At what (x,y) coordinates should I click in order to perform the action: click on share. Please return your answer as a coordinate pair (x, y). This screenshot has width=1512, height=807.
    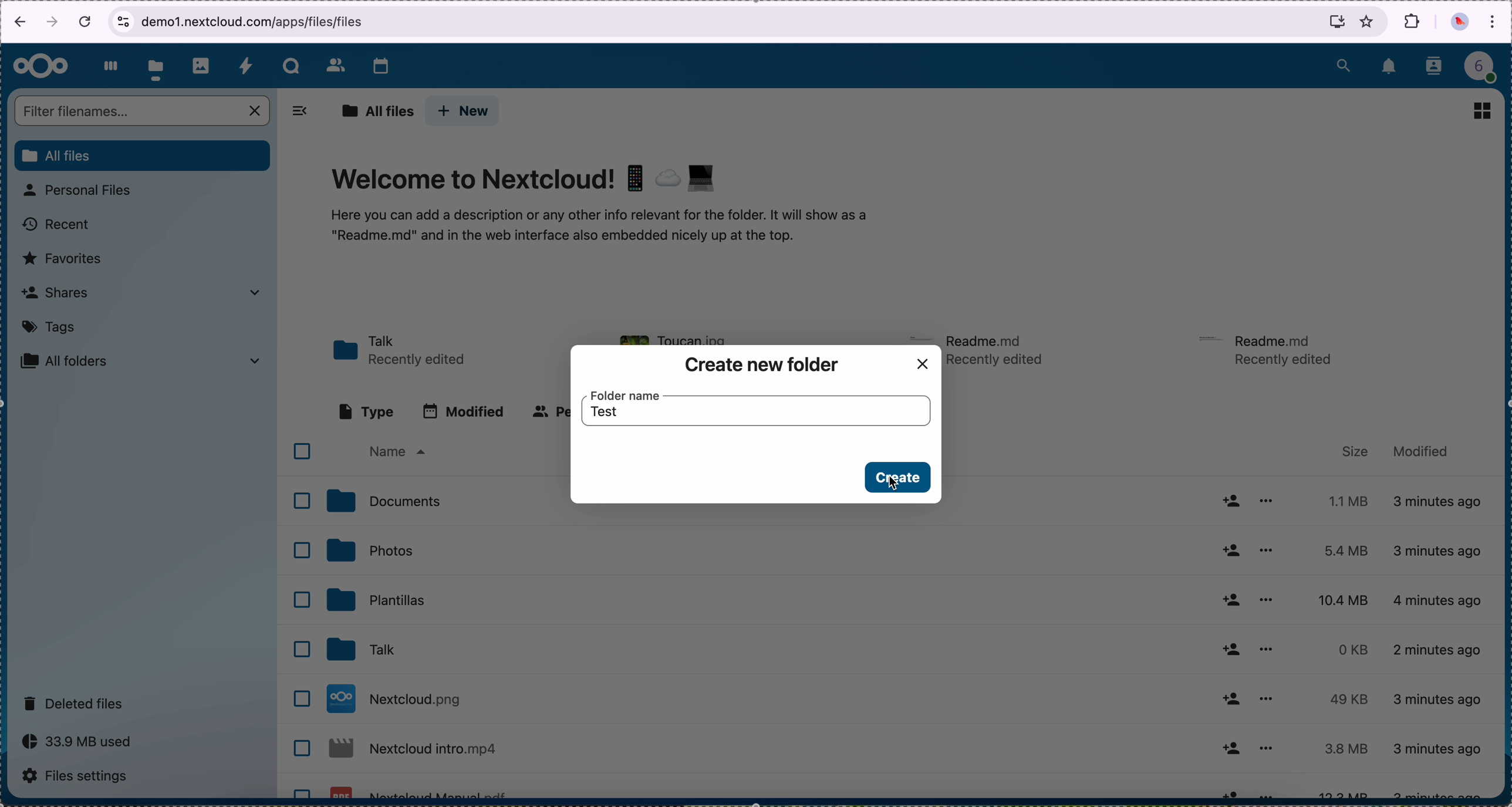
    Looking at the image, I should click on (1229, 650).